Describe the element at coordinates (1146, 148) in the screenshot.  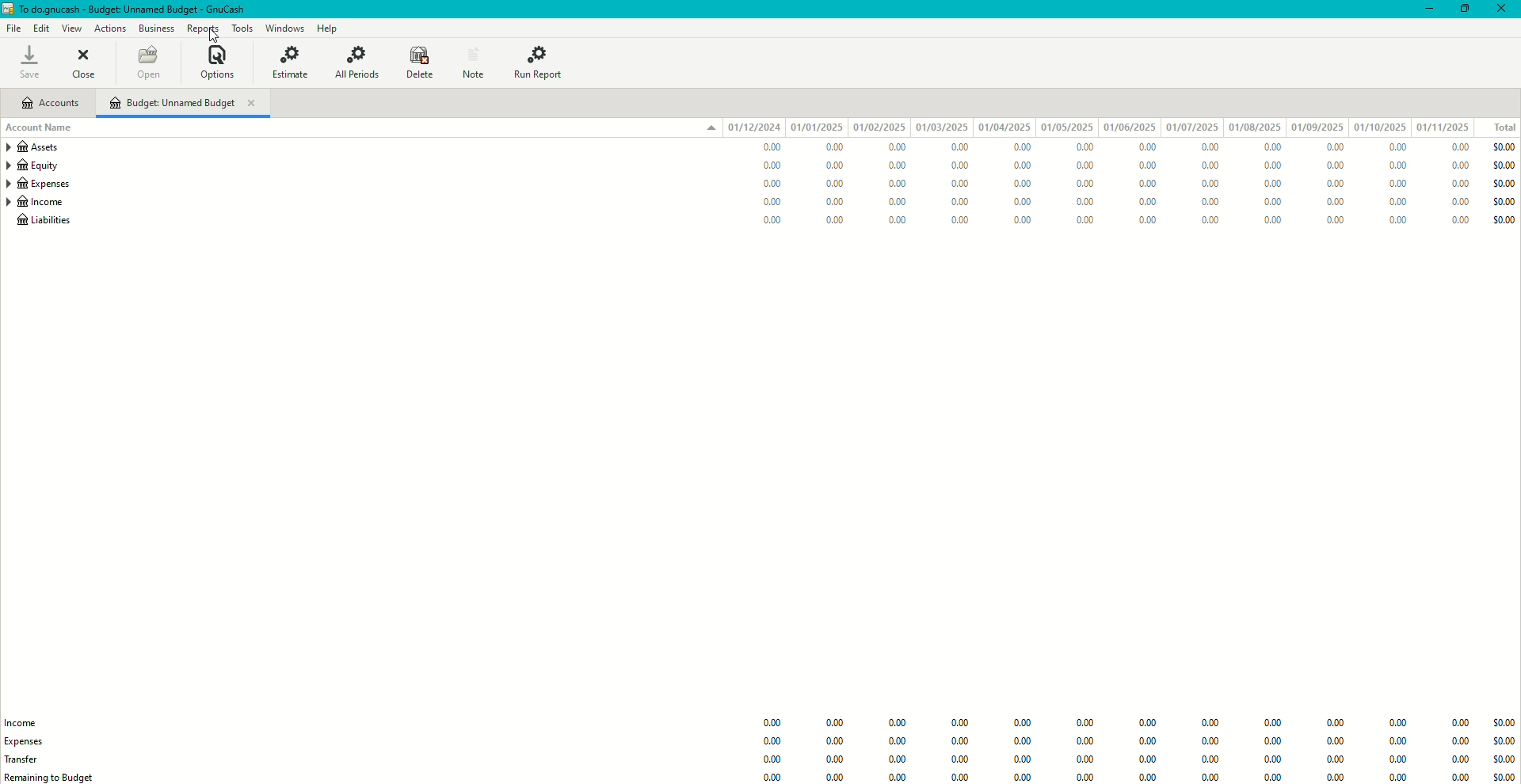
I see `0.00` at that location.